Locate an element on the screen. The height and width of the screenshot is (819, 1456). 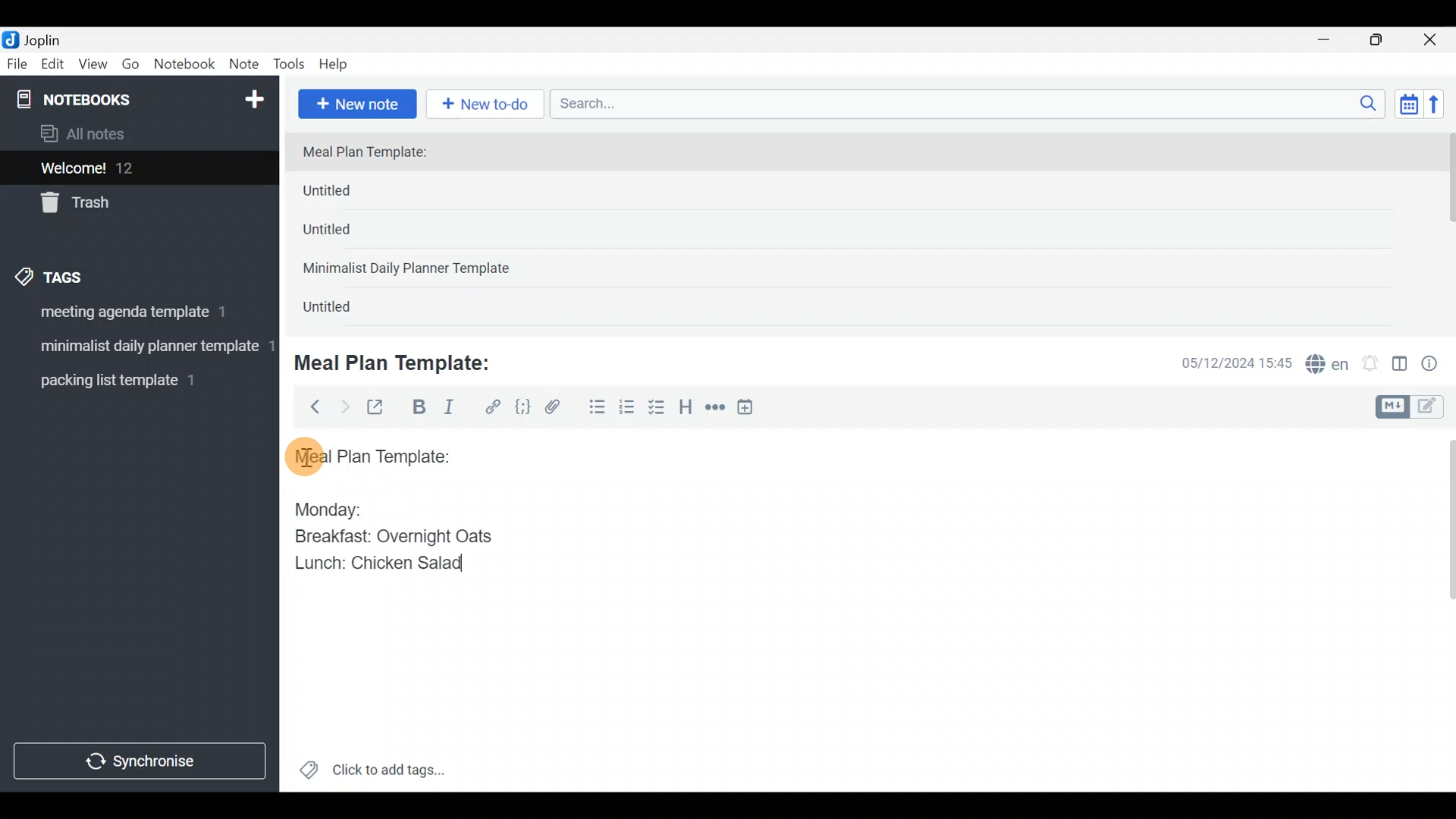
Hyperlink is located at coordinates (493, 407).